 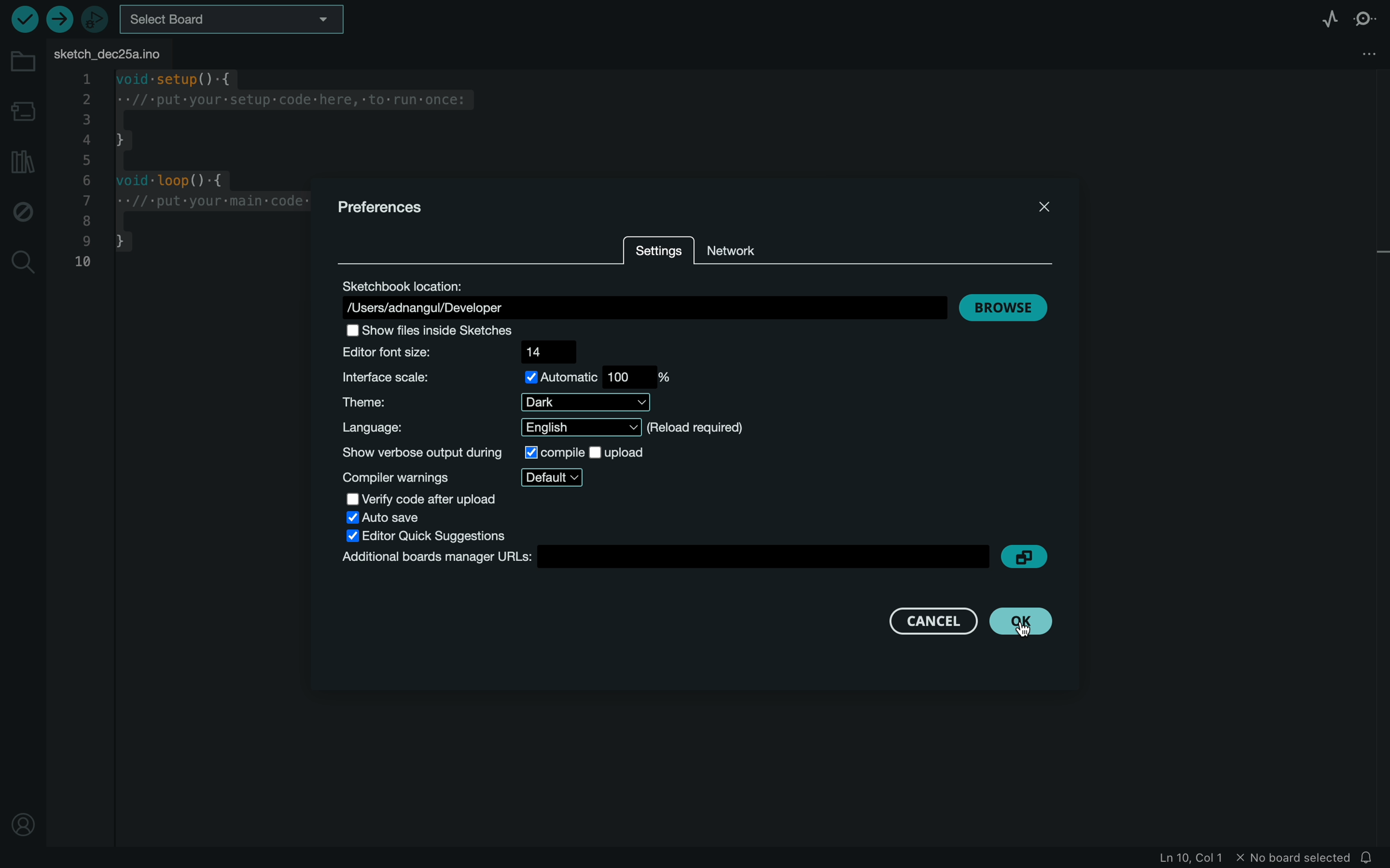 I want to click on verify  code, so click(x=434, y=499).